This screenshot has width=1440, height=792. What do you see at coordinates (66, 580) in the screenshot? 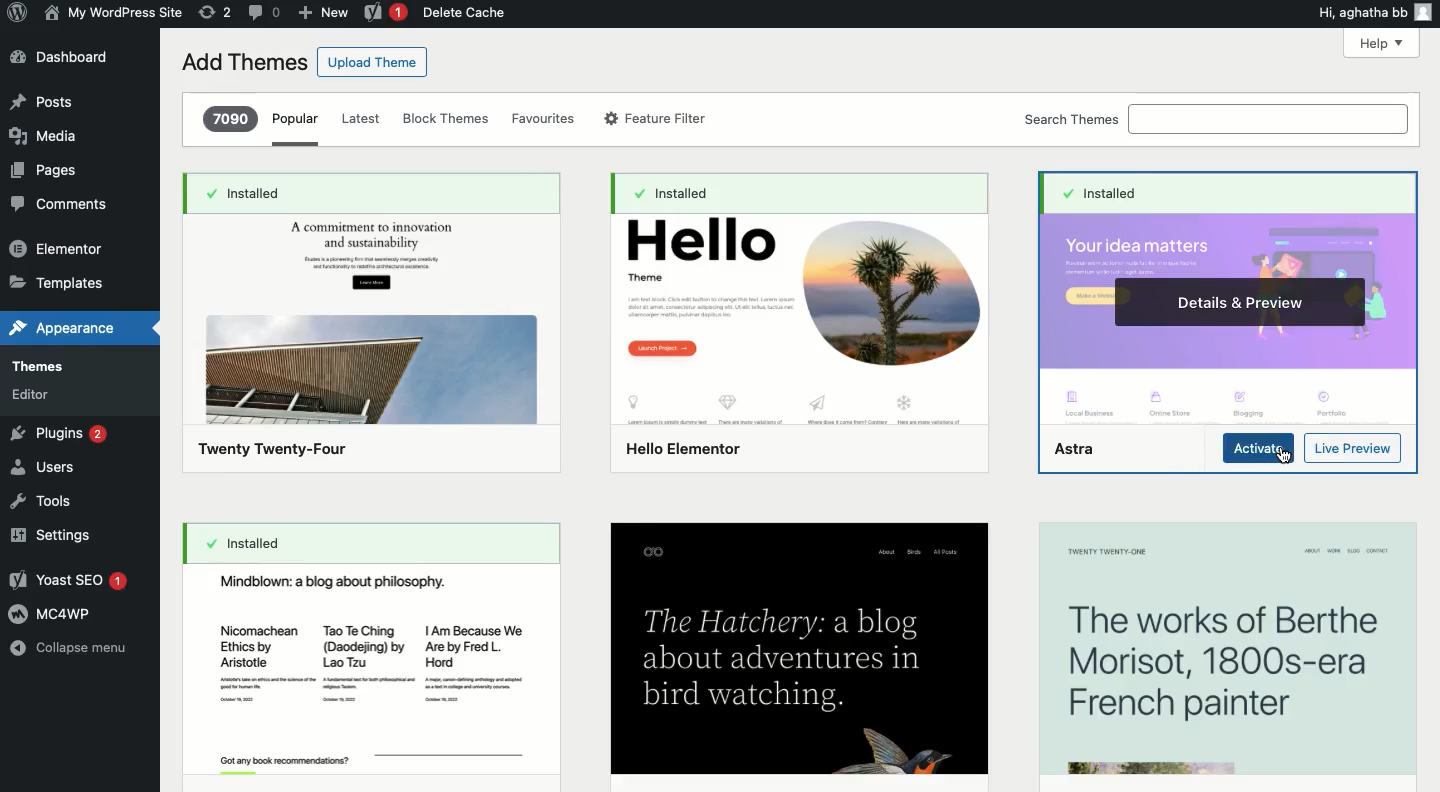
I see `Yoast` at bounding box center [66, 580].